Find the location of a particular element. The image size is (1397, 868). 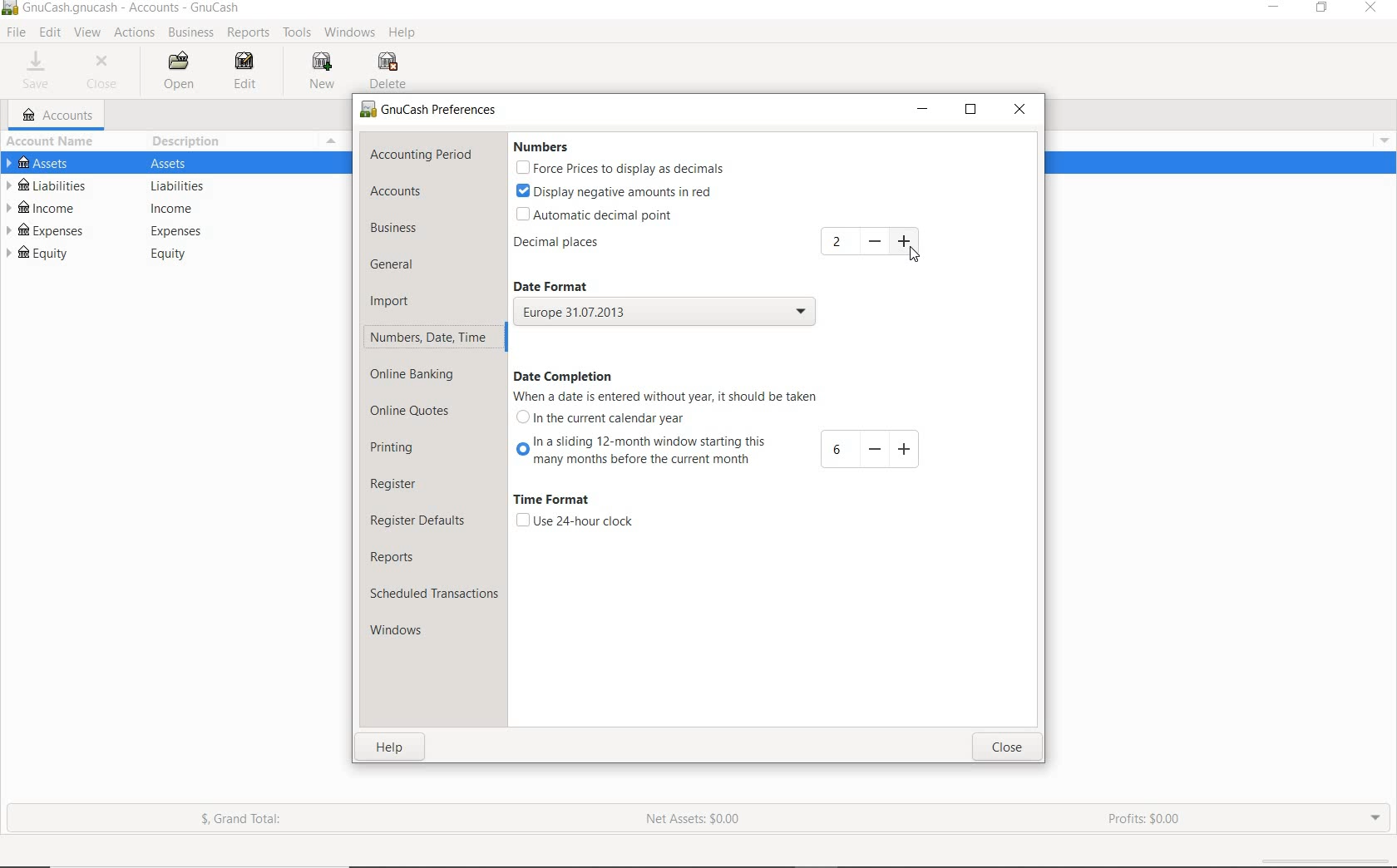

add decimal place is located at coordinates (839, 242).